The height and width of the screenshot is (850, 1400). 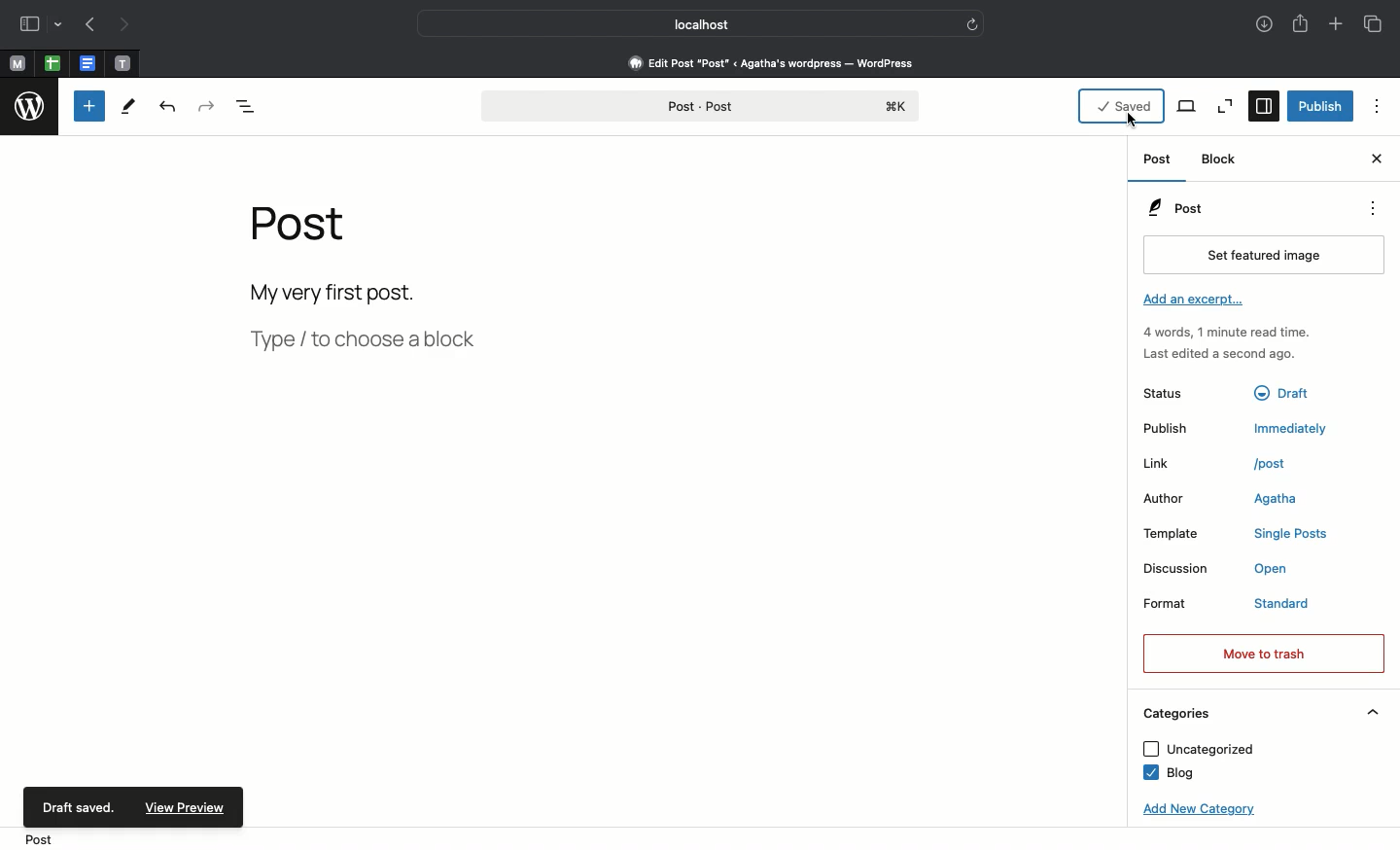 What do you see at coordinates (1262, 654) in the screenshot?
I see `Move to trash` at bounding box center [1262, 654].